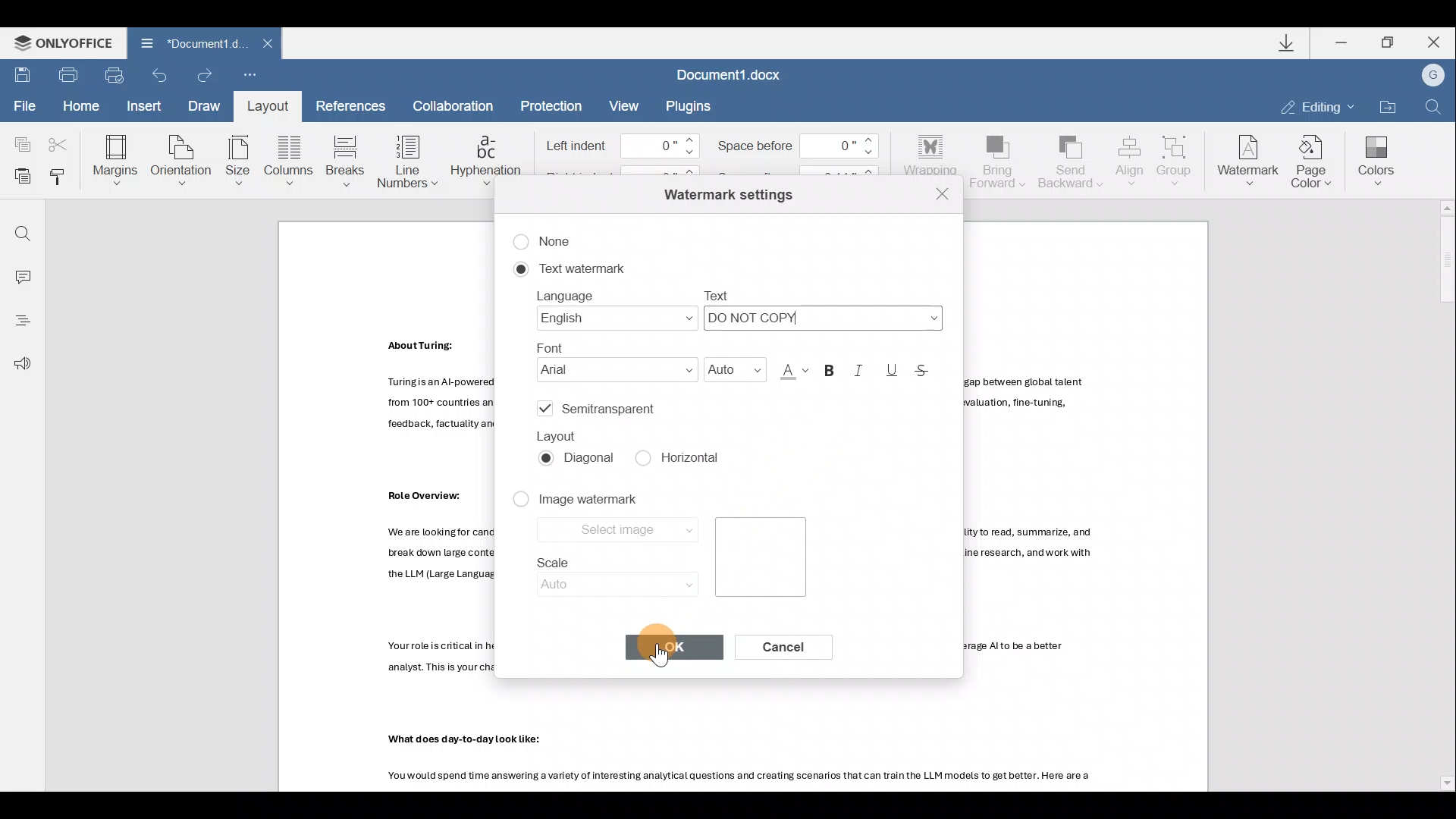 The height and width of the screenshot is (819, 1456). Describe the element at coordinates (554, 238) in the screenshot. I see `None` at that location.